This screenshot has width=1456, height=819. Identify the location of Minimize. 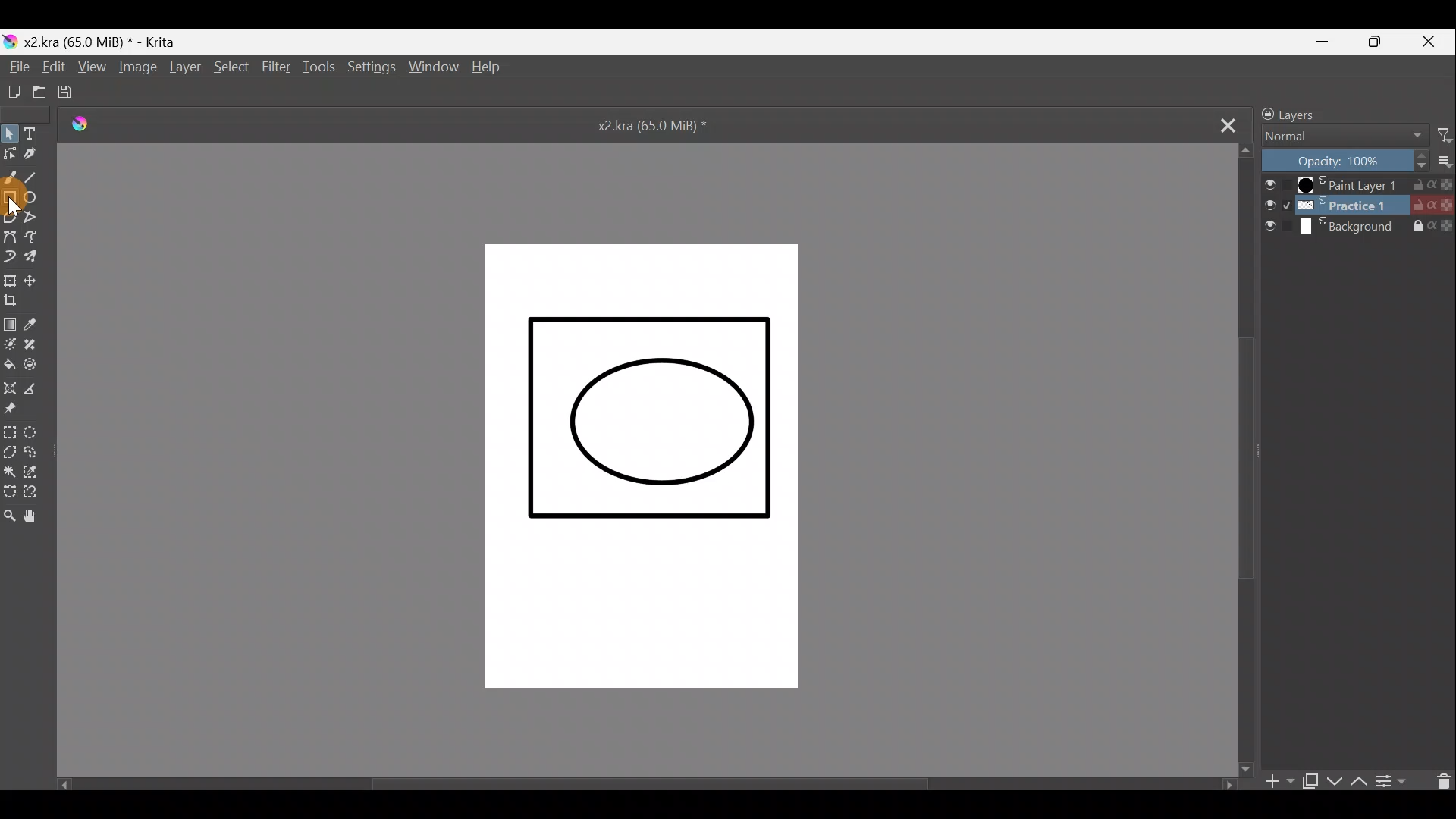
(1317, 40).